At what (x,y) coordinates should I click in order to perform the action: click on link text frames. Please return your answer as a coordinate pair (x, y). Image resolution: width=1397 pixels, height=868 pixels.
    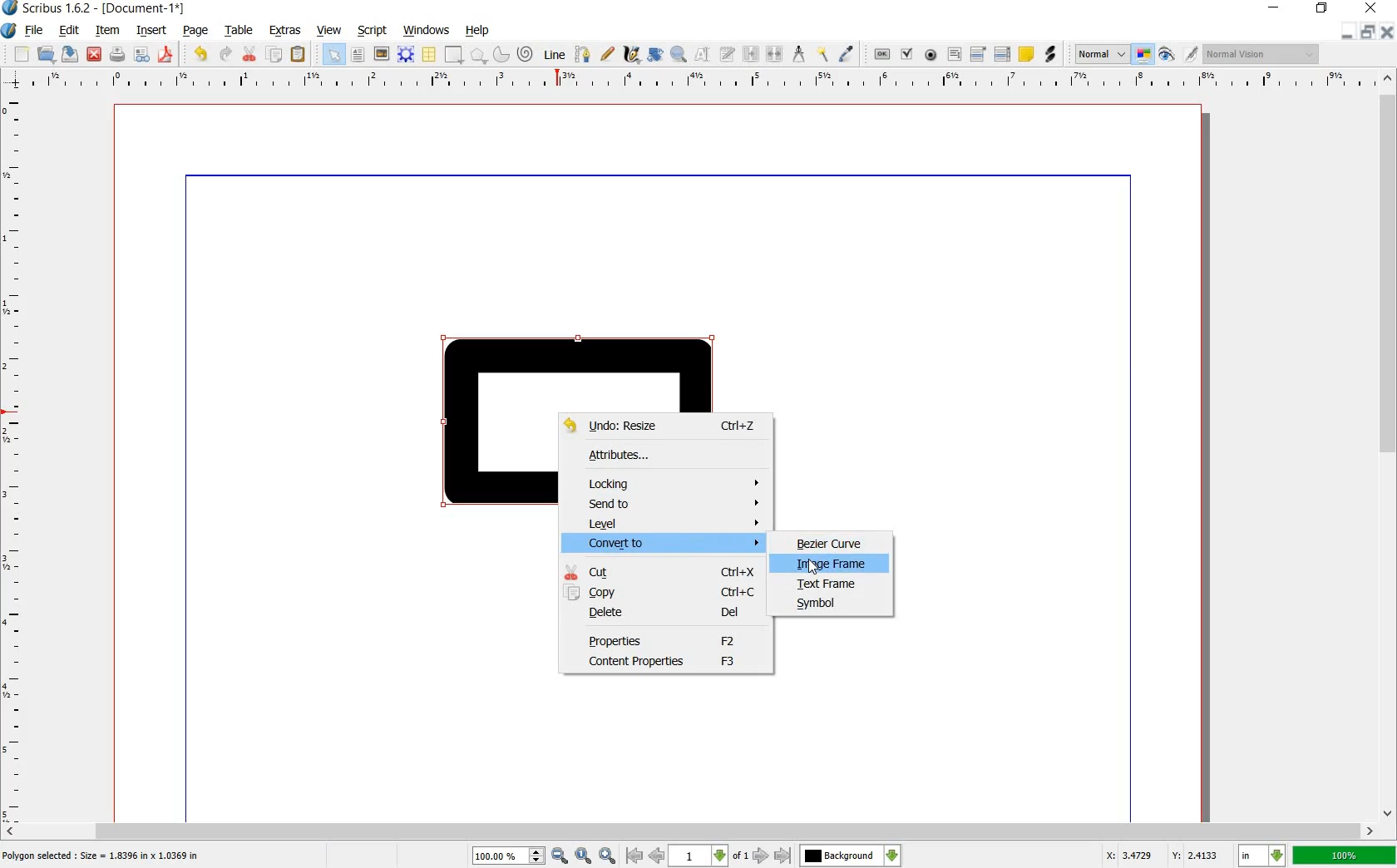
    Looking at the image, I should click on (750, 53).